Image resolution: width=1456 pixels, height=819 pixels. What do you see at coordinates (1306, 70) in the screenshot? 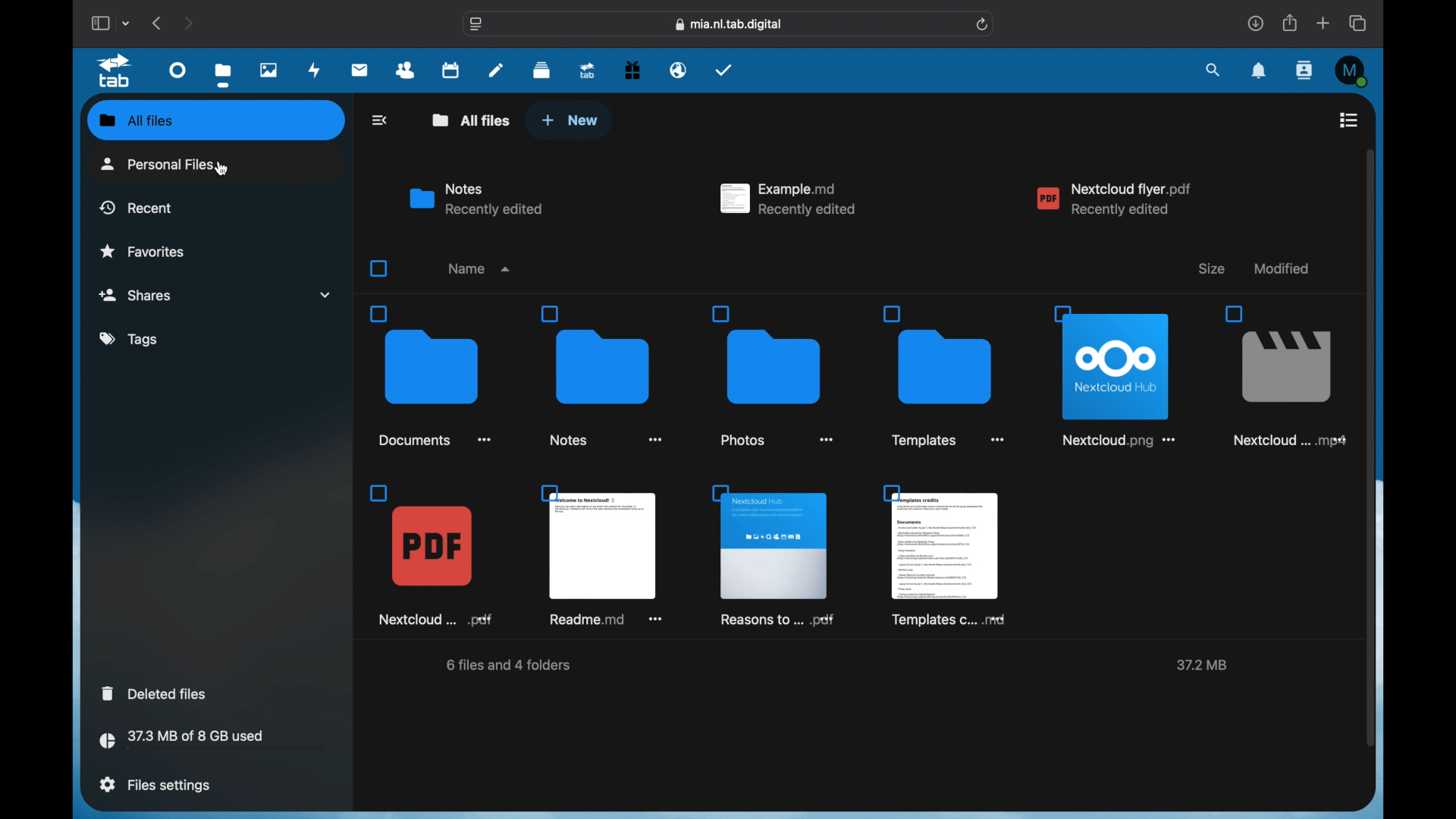
I see `contacts` at bounding box center [1306, 70].